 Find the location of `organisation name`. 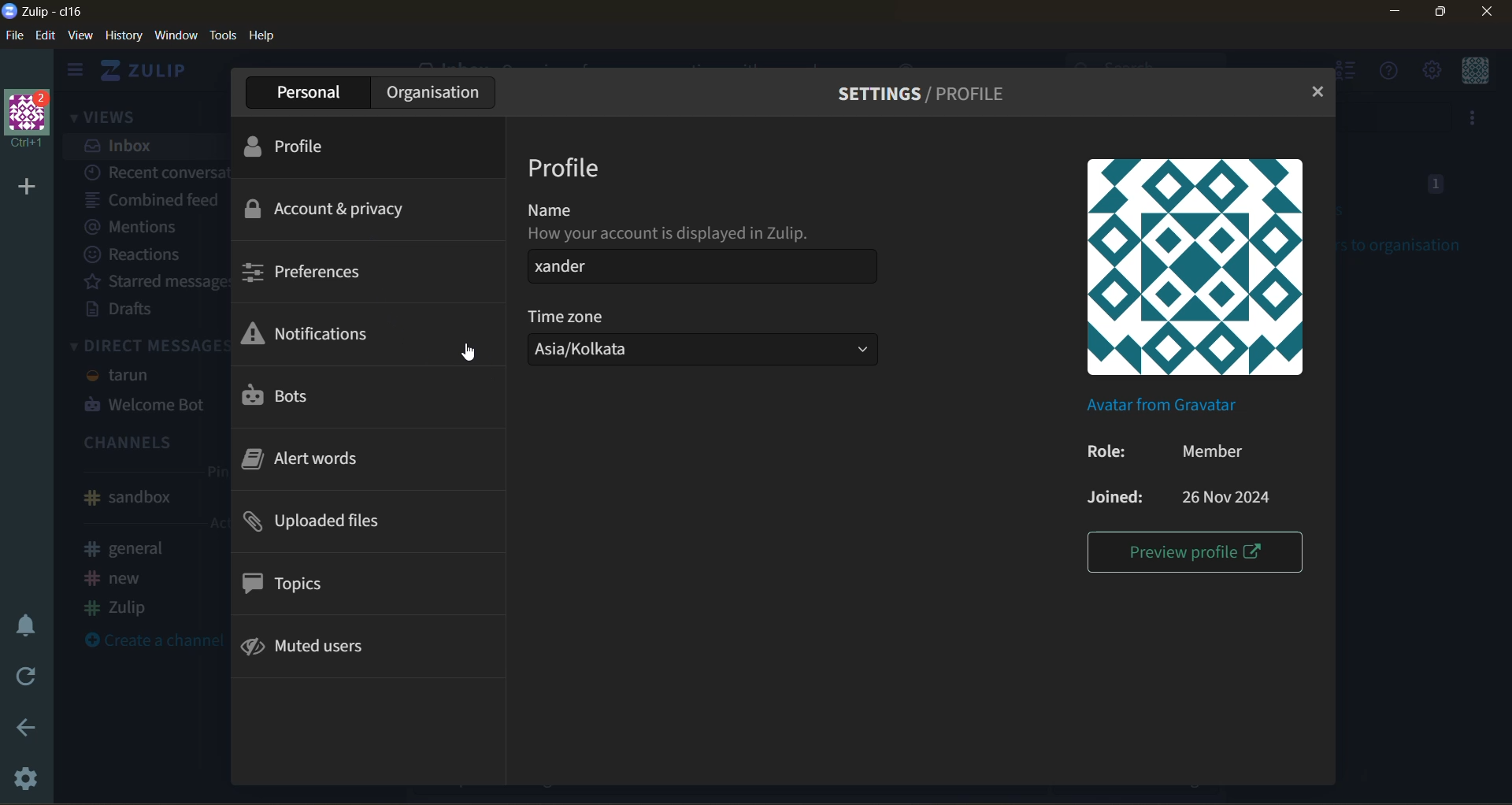

organisation name is located at coordinates (33, 121).